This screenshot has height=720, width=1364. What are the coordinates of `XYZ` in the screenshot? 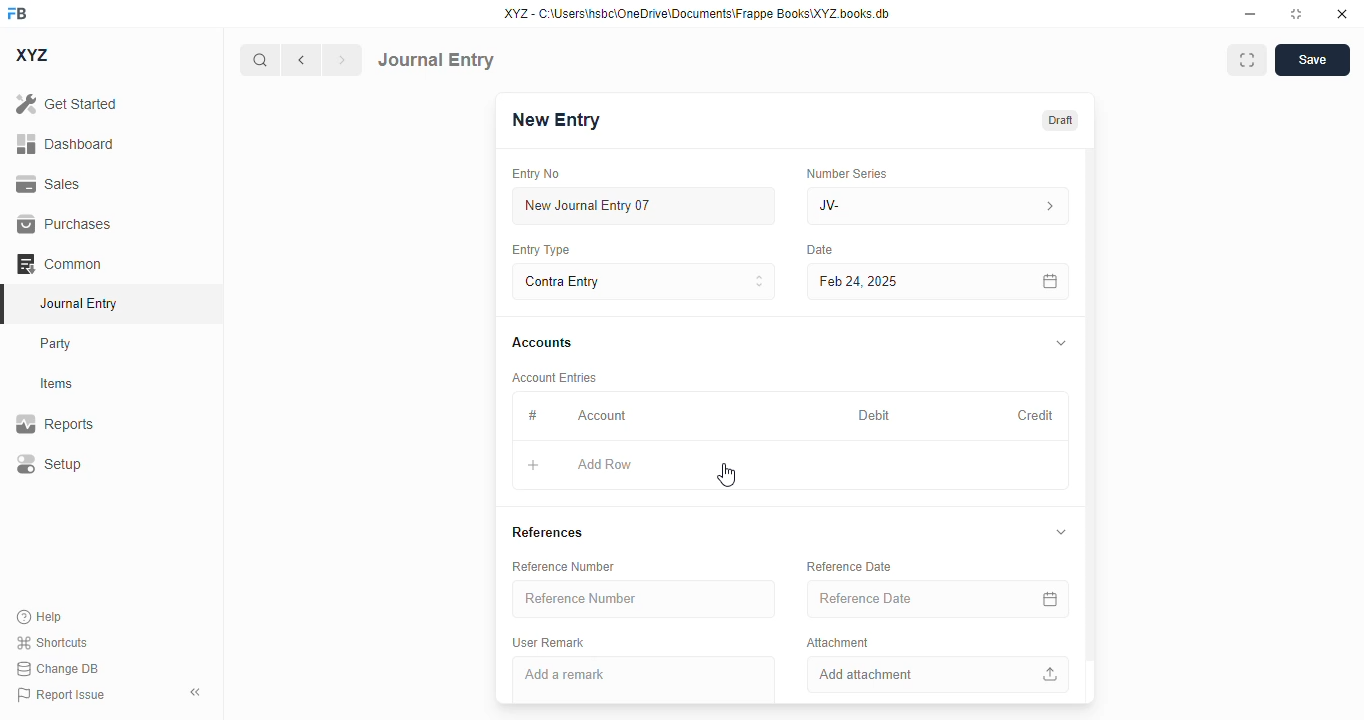 It's located at (31, 55).